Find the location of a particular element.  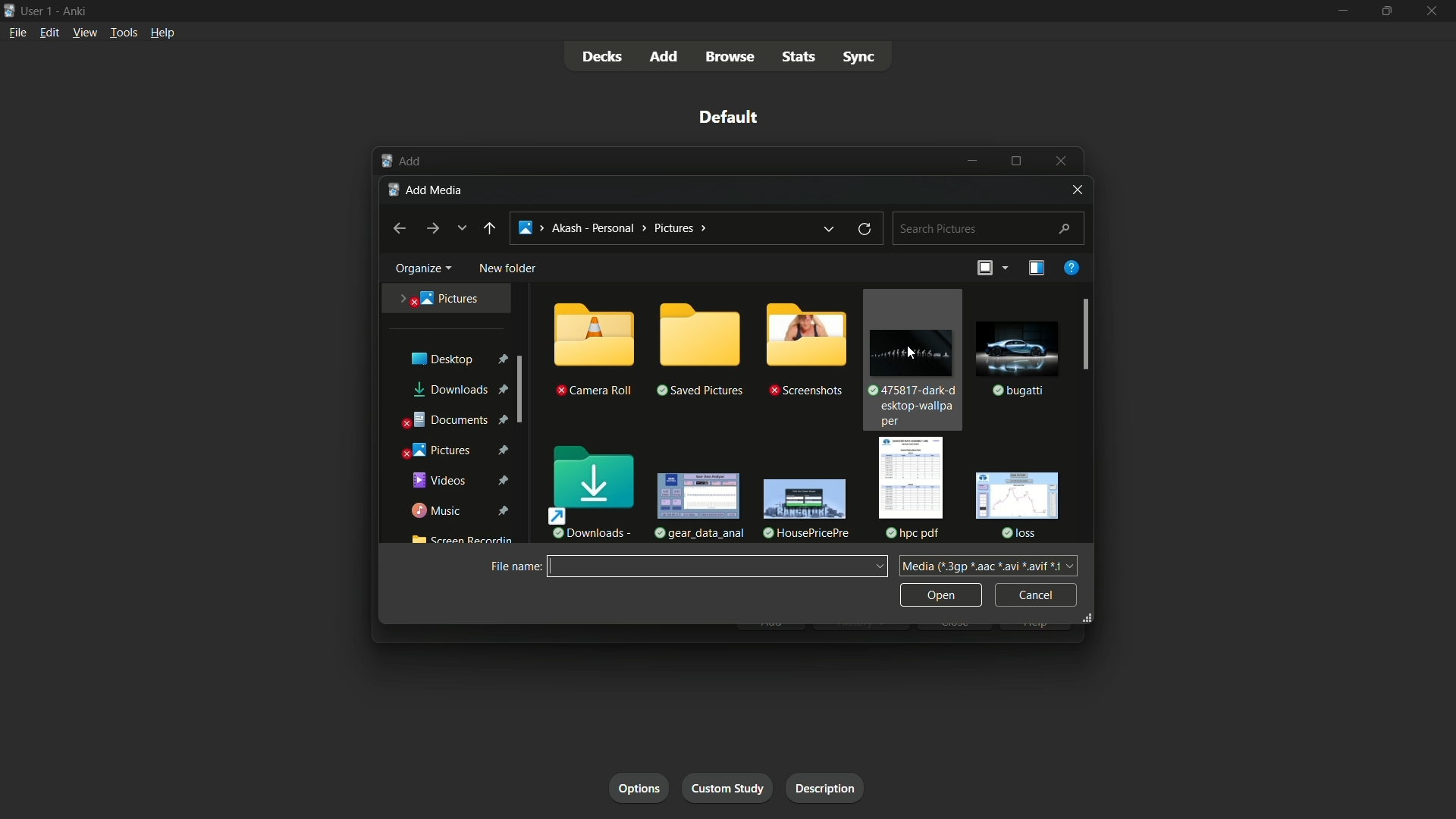

File name is located at coordinates (717, 566).